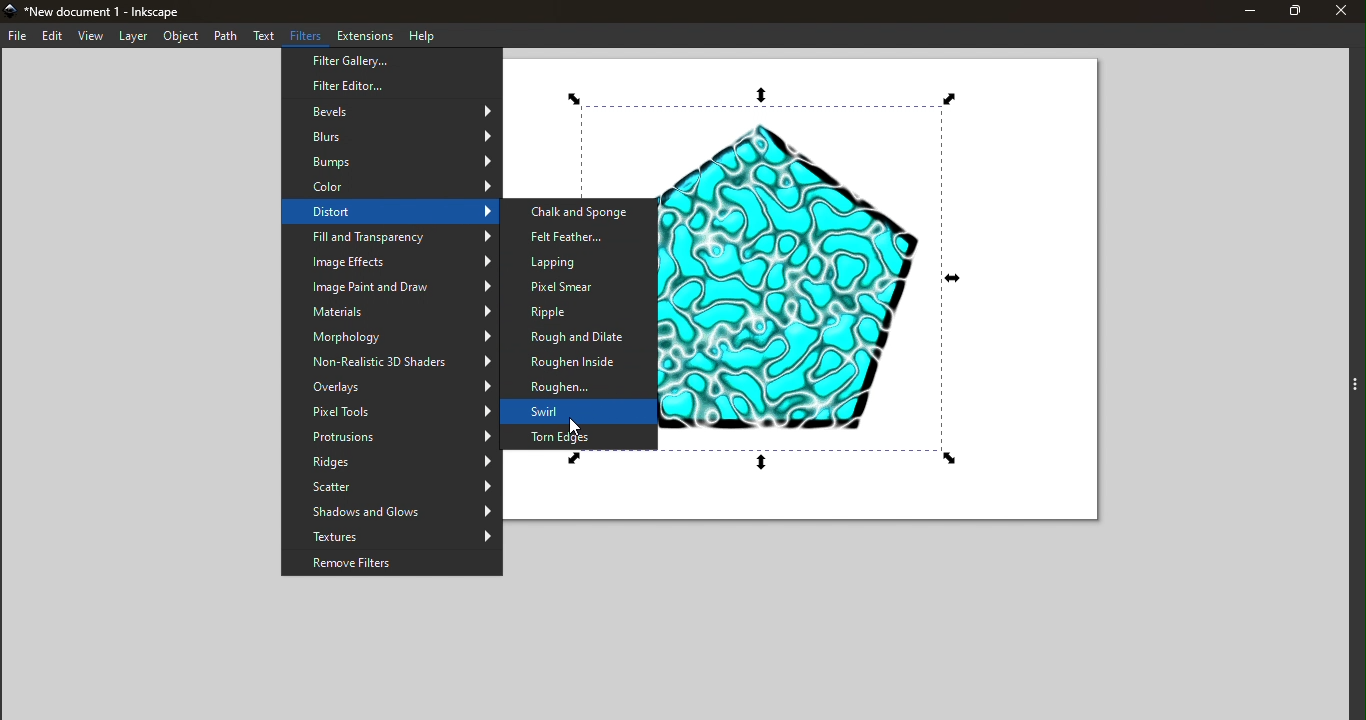  Describe the element at coordinates (391, 87) in the screenshot. I see `Filter Editor` at that location.